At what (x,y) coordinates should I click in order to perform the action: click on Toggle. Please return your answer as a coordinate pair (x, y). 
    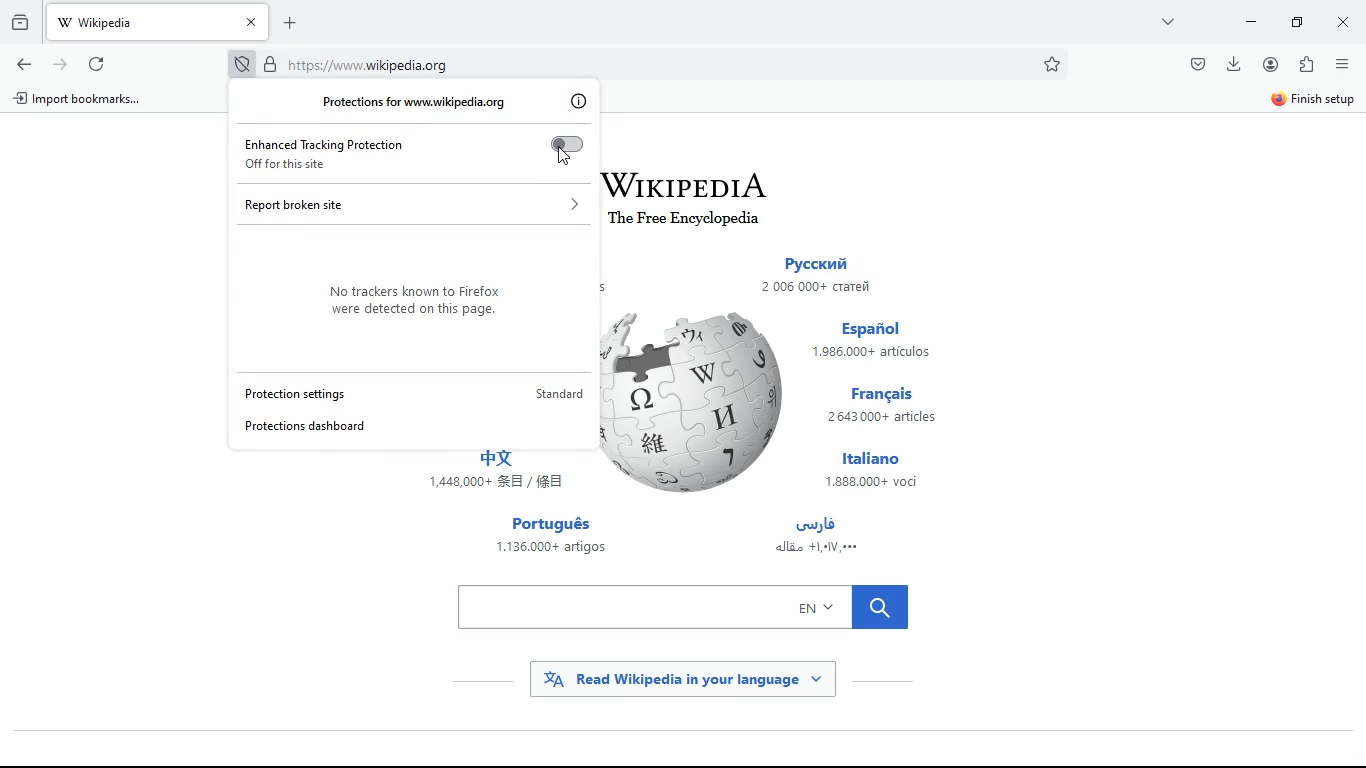
    Looking at the image, I should click on (566, 144).